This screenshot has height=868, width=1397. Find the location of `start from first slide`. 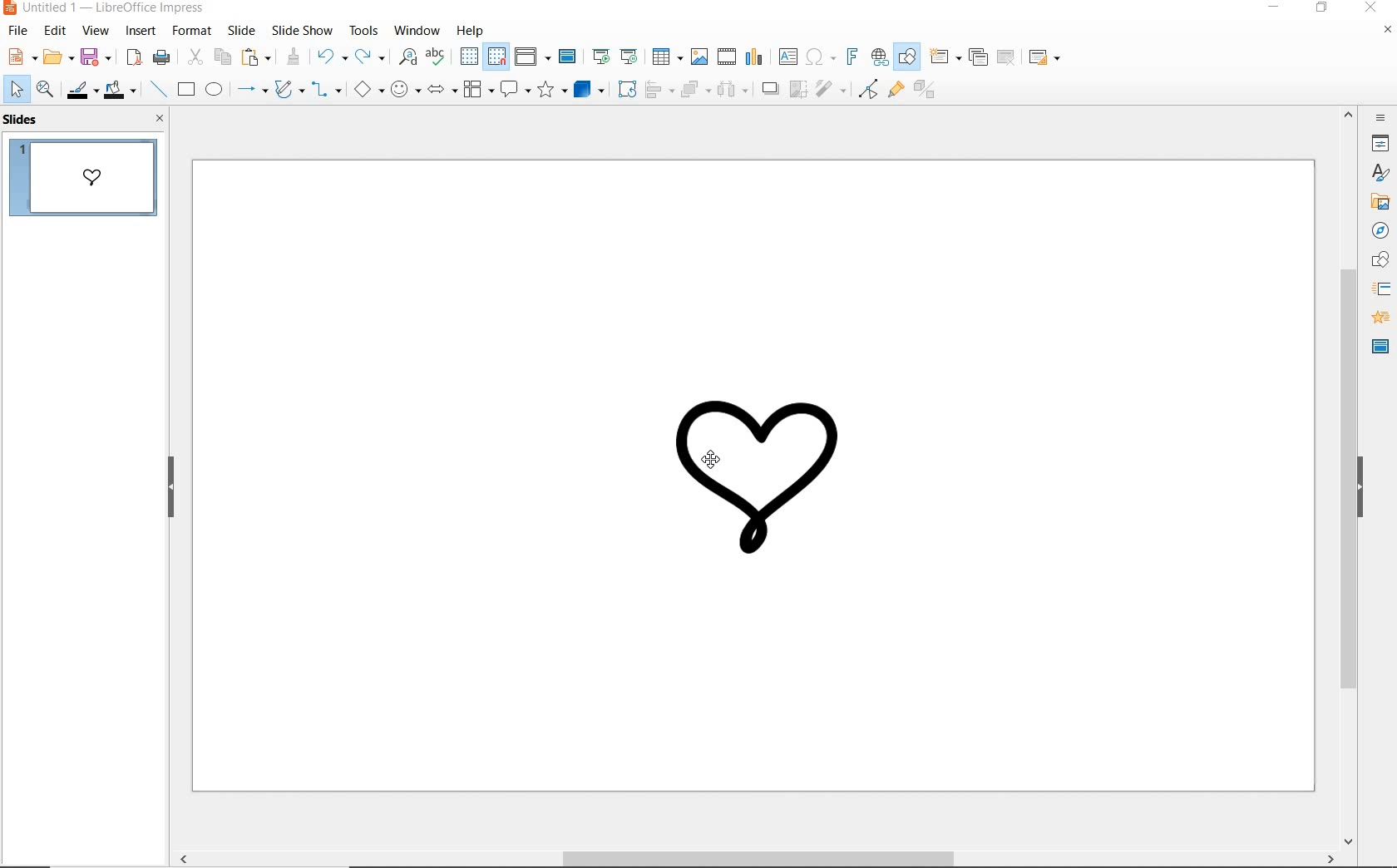

start from first slide is located at coordinates (600, 57).